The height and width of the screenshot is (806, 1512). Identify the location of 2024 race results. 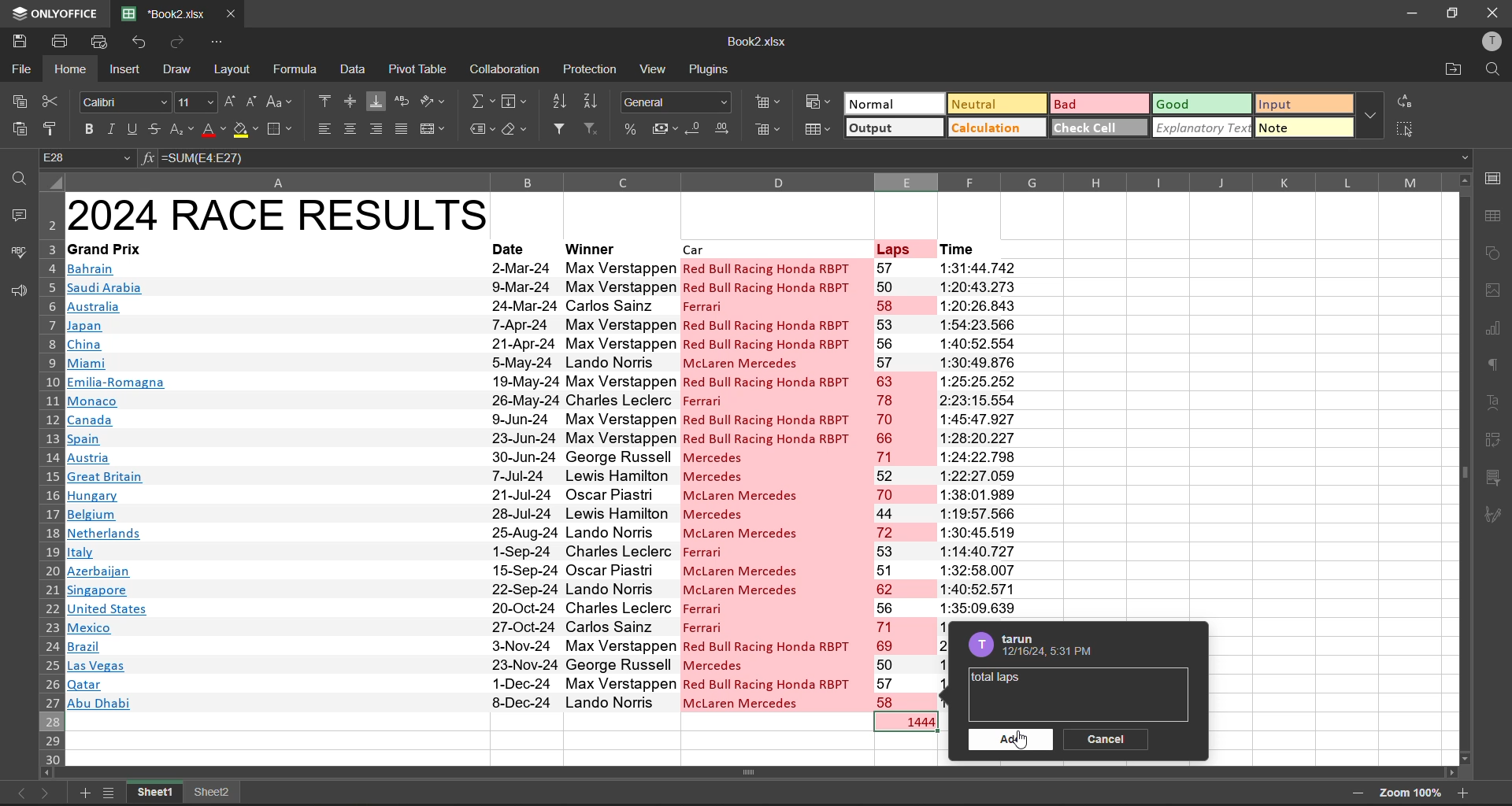
(280, 214).